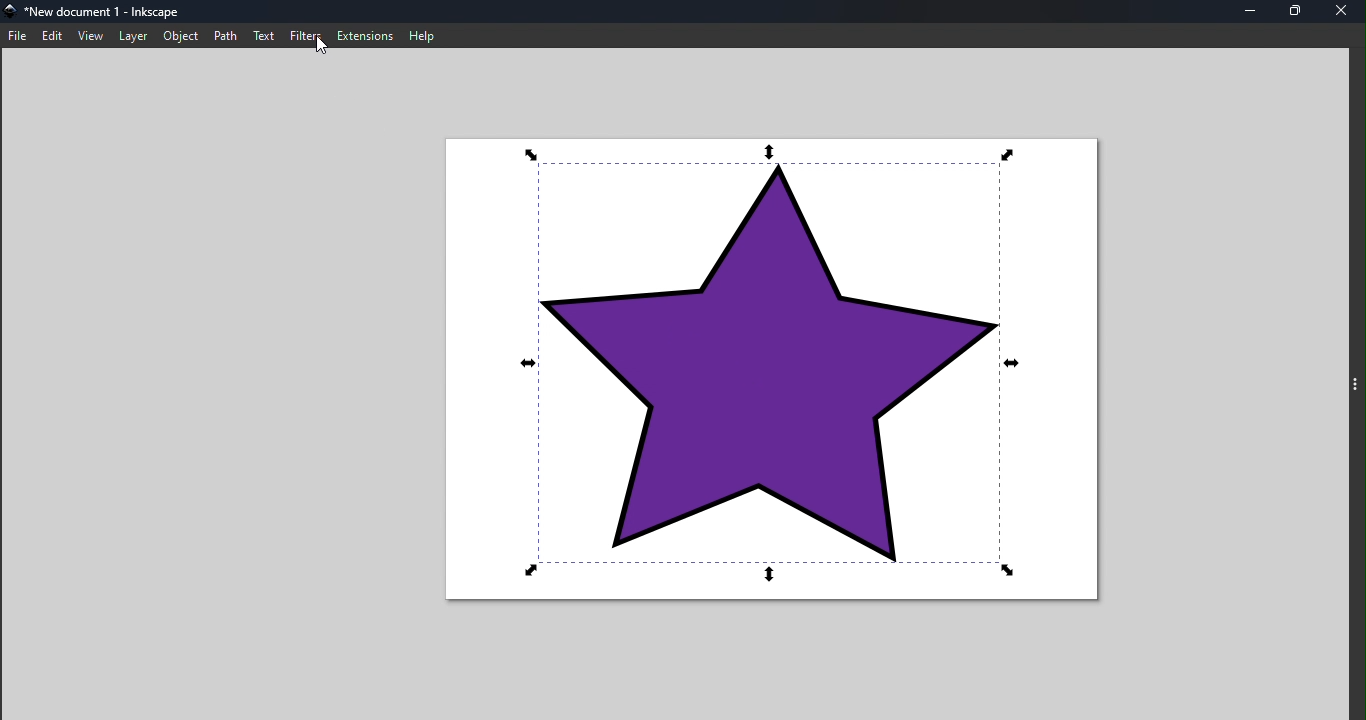 The height and width of the screenshot is (720, 1366). I want to click on Text, so click(263, 36).